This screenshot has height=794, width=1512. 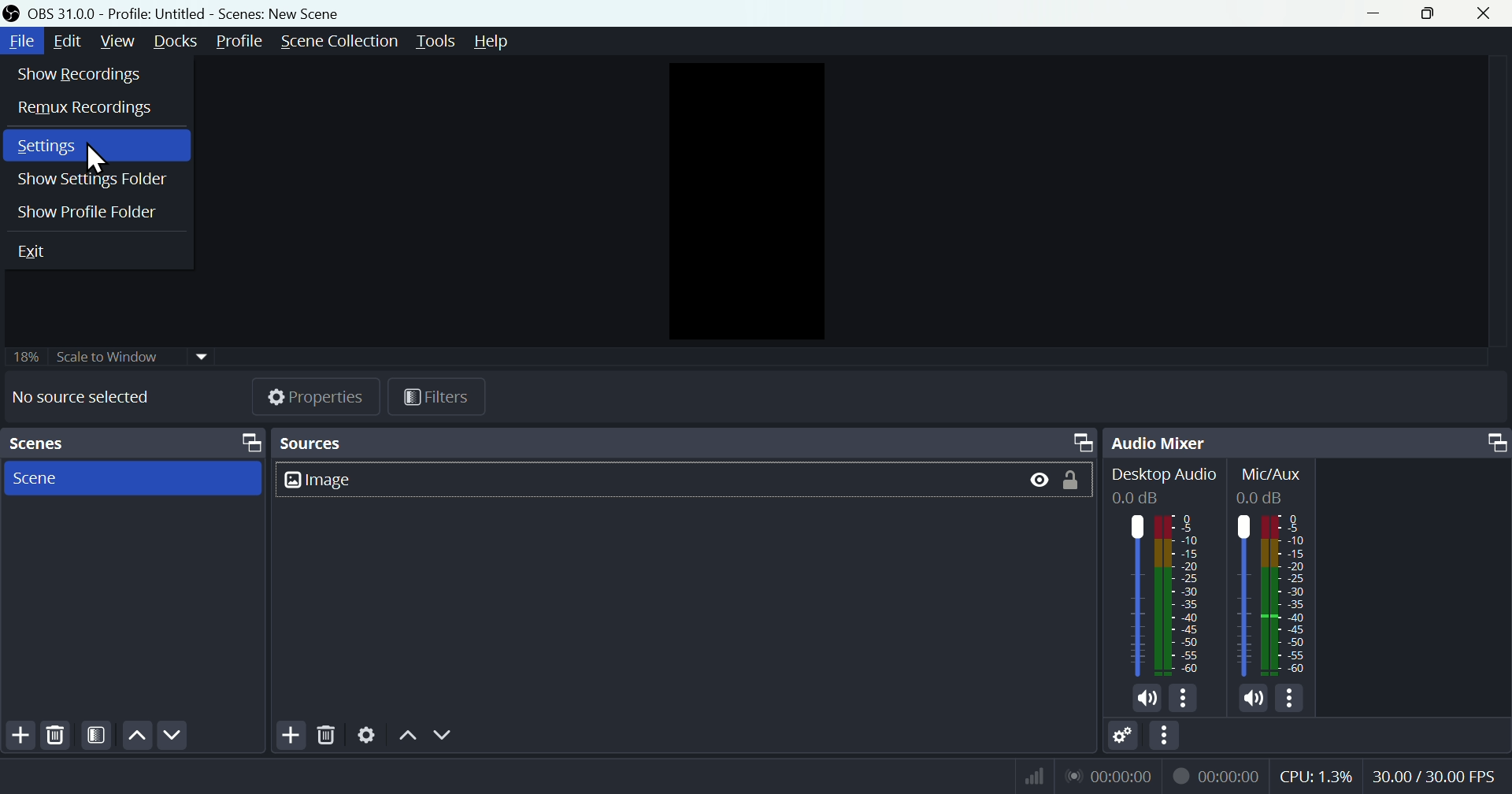 I want to click on more options, so click(x=1292, y=699).